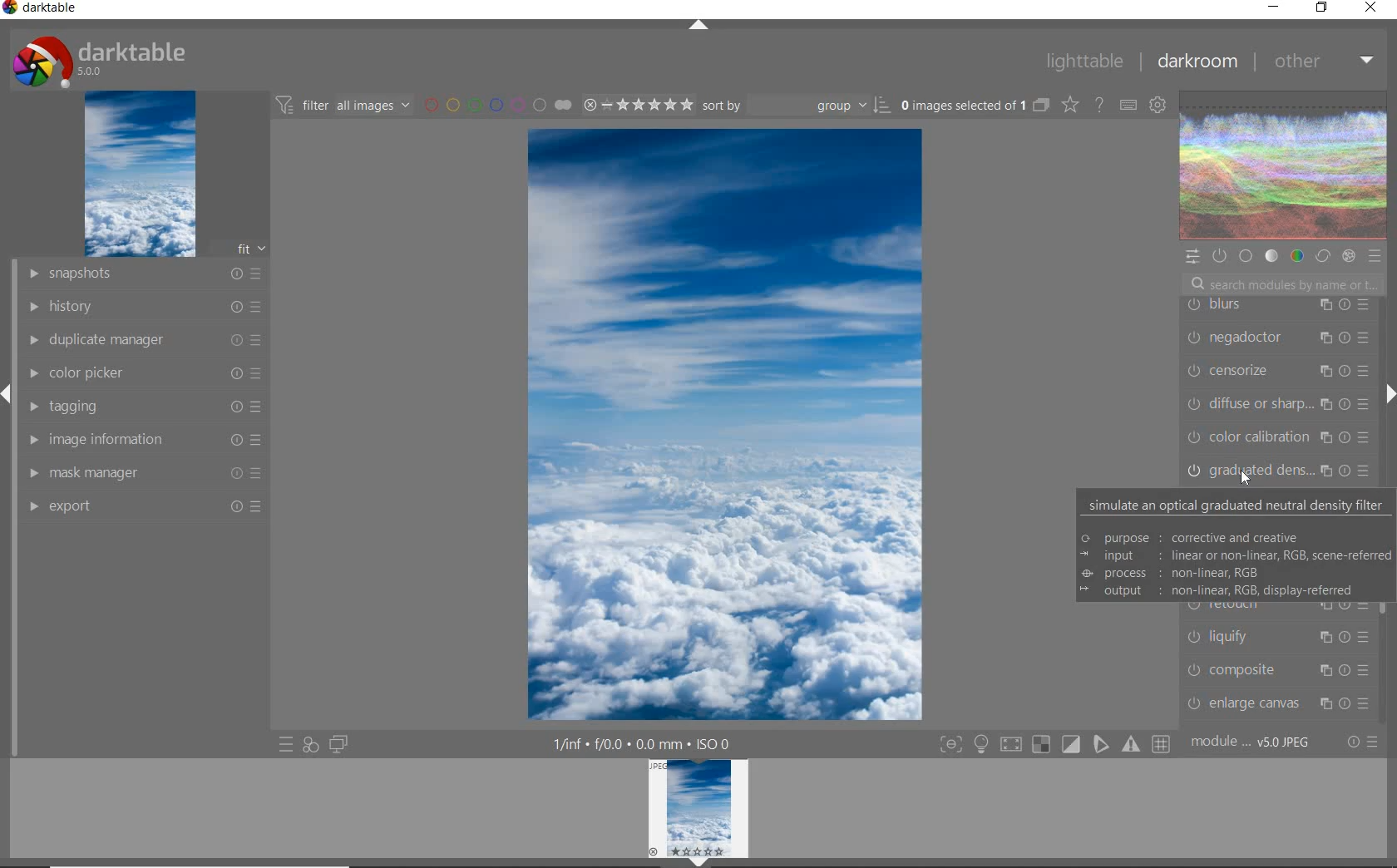 The height and width of the screenshot is (868, 1397). Describe the element at coordinates (310, 745) in the screenshot. I see `QUICK ACCESS FOR APLYING ANY OF YOUR STYLES` at that location.